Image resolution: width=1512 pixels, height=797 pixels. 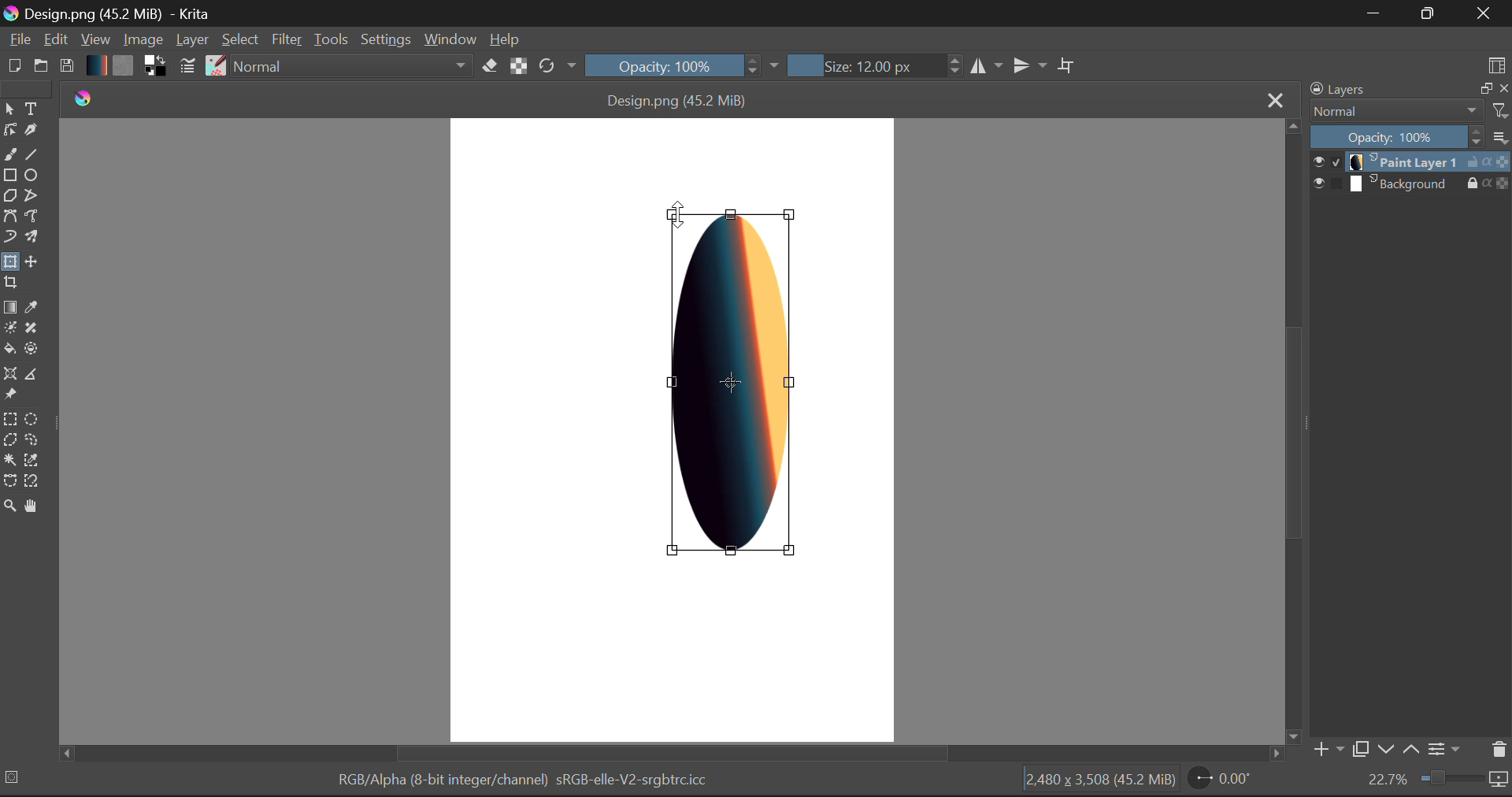 I want to click on Zoom, so click(x=1437, y=781).